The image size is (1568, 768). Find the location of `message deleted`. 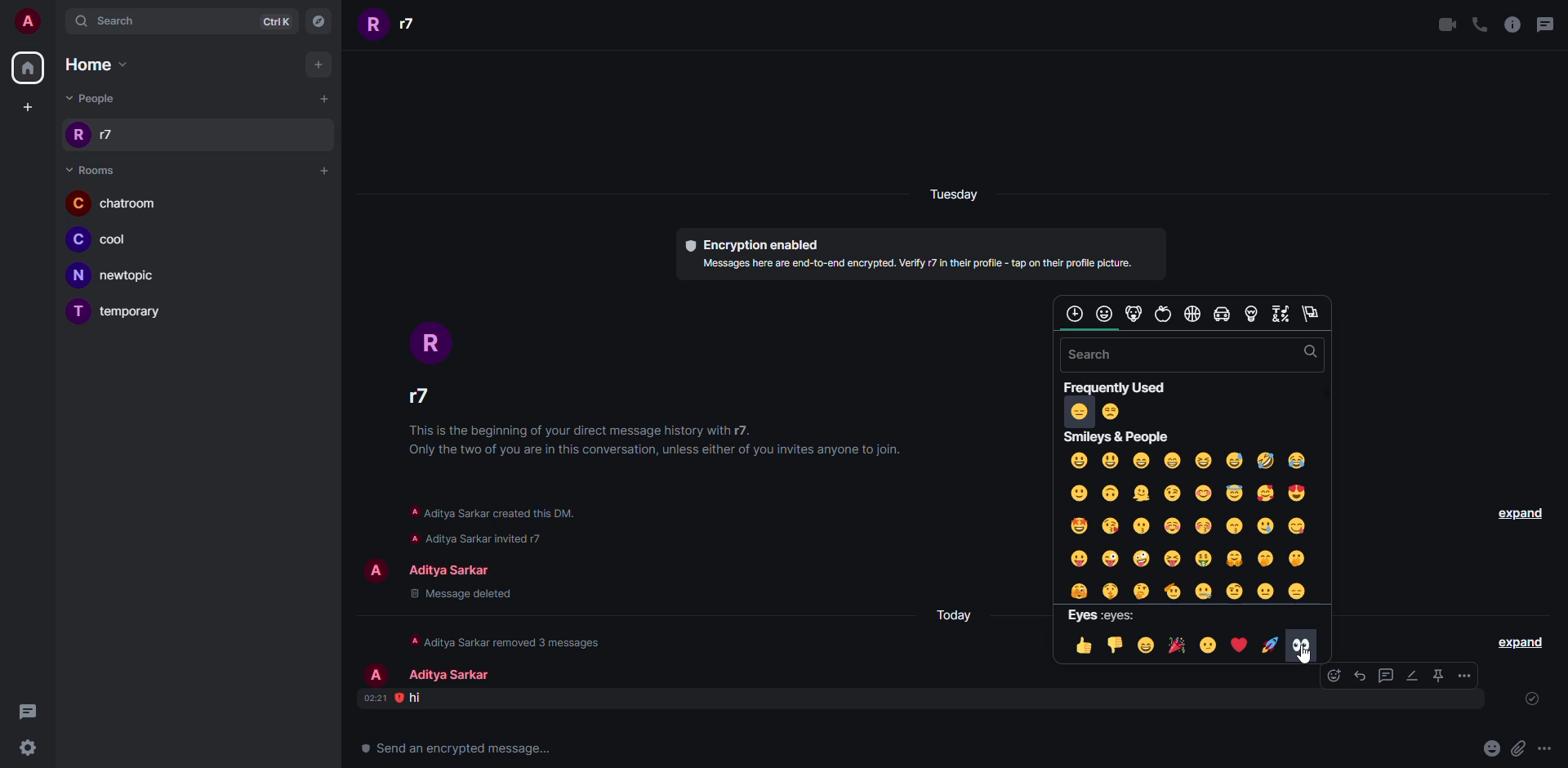

message deleted is located at coordinates (458, 595).